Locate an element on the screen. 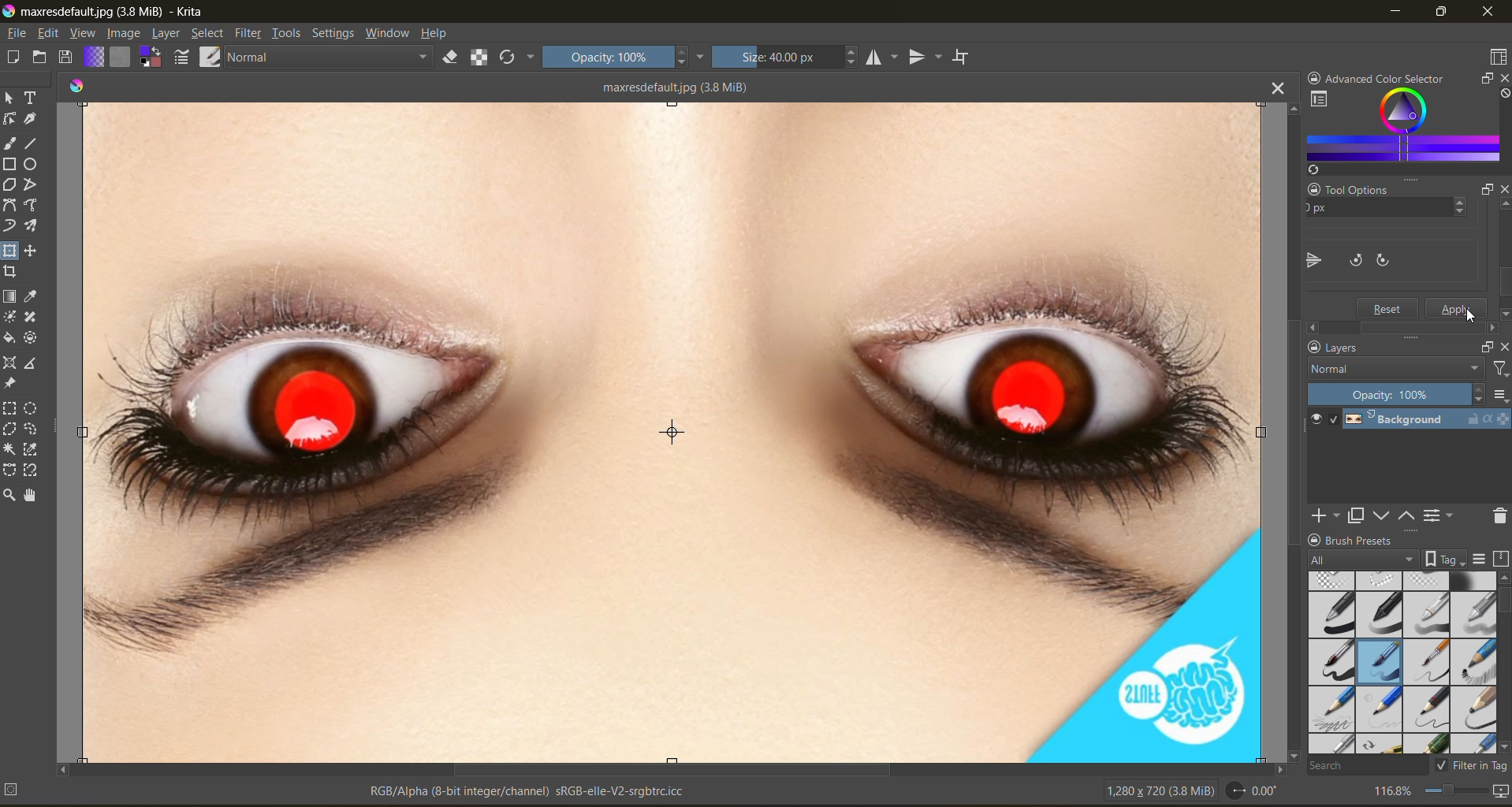 Image resolution: width=1512 pixels, height=807 pixels. filter is located at coordinates (251, 32).